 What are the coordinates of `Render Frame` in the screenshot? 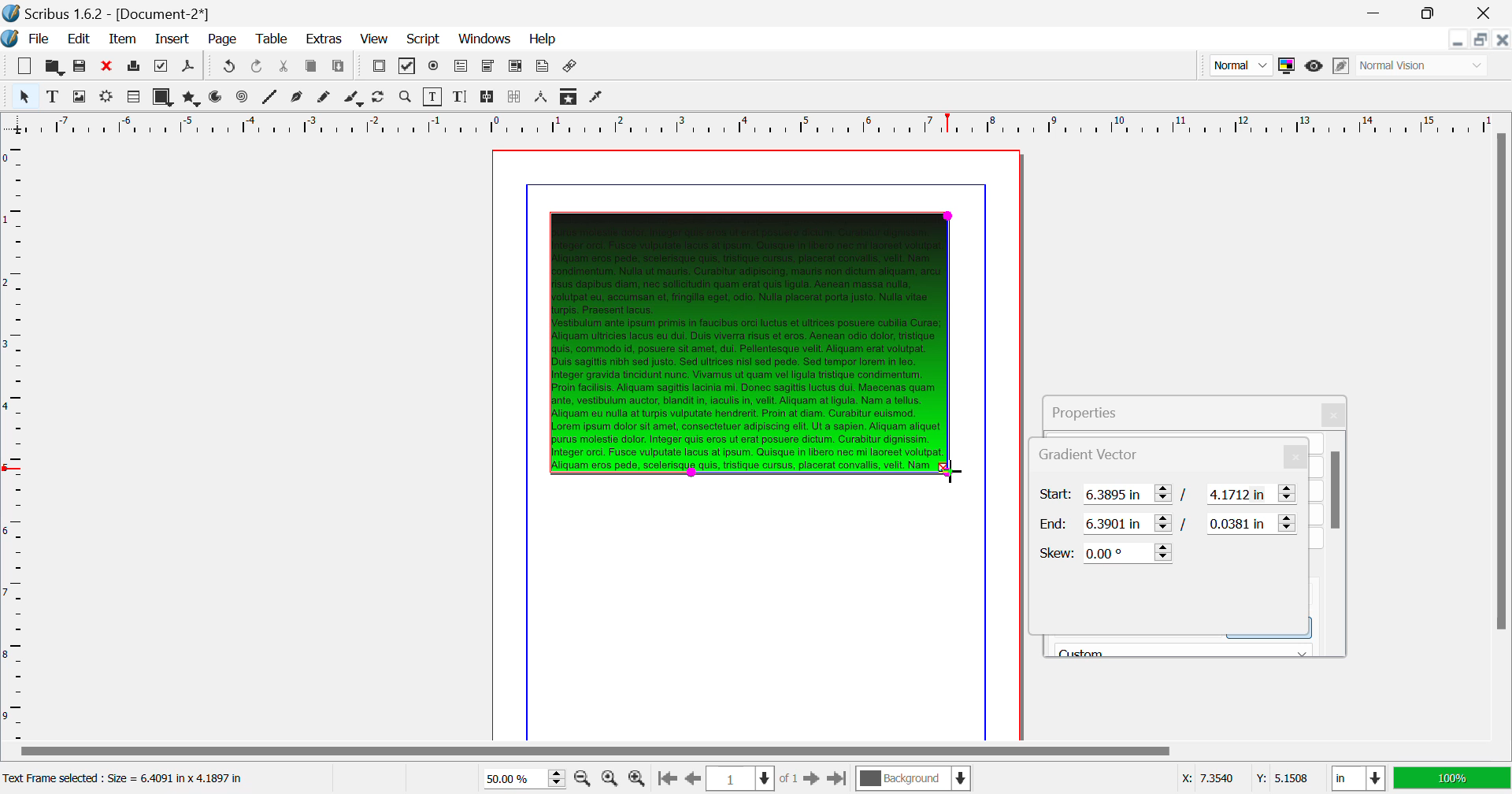 It's located at (132, 98).